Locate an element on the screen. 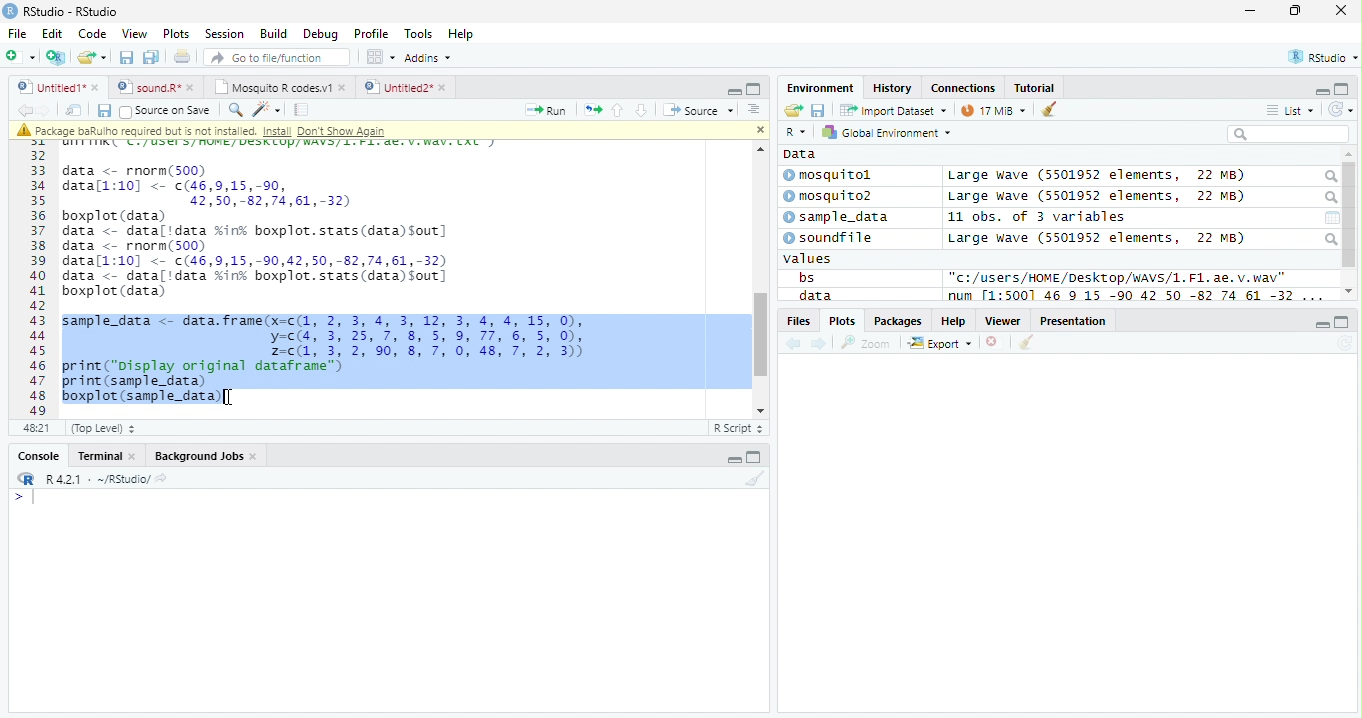  Large wave (5501952 elements, 22 MB) is located at coordinates (1100, 197).